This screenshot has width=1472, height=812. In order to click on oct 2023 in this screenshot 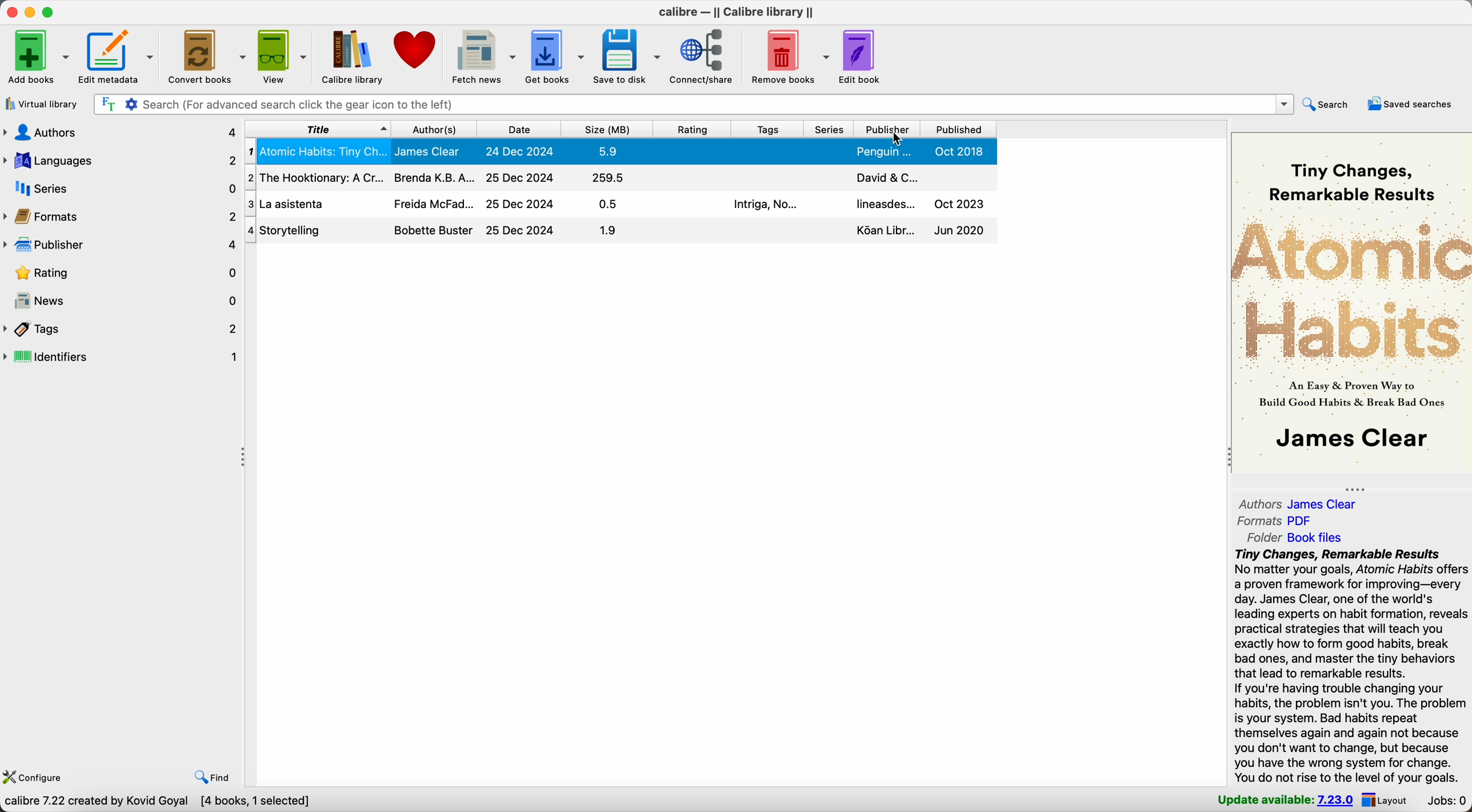, I will do `click(958, 205)`.